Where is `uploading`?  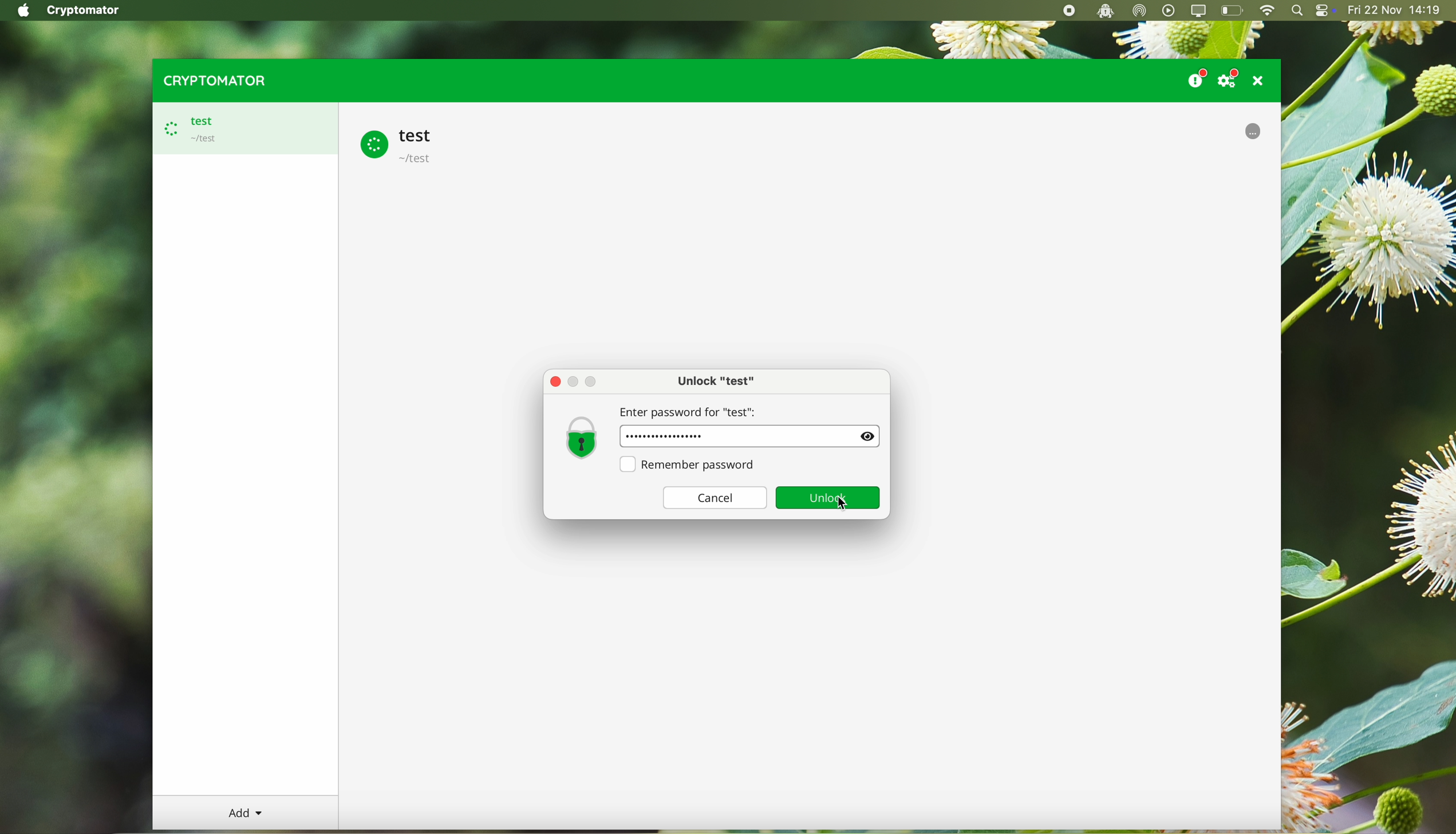
uploading is located at coordinates (1253, 130).